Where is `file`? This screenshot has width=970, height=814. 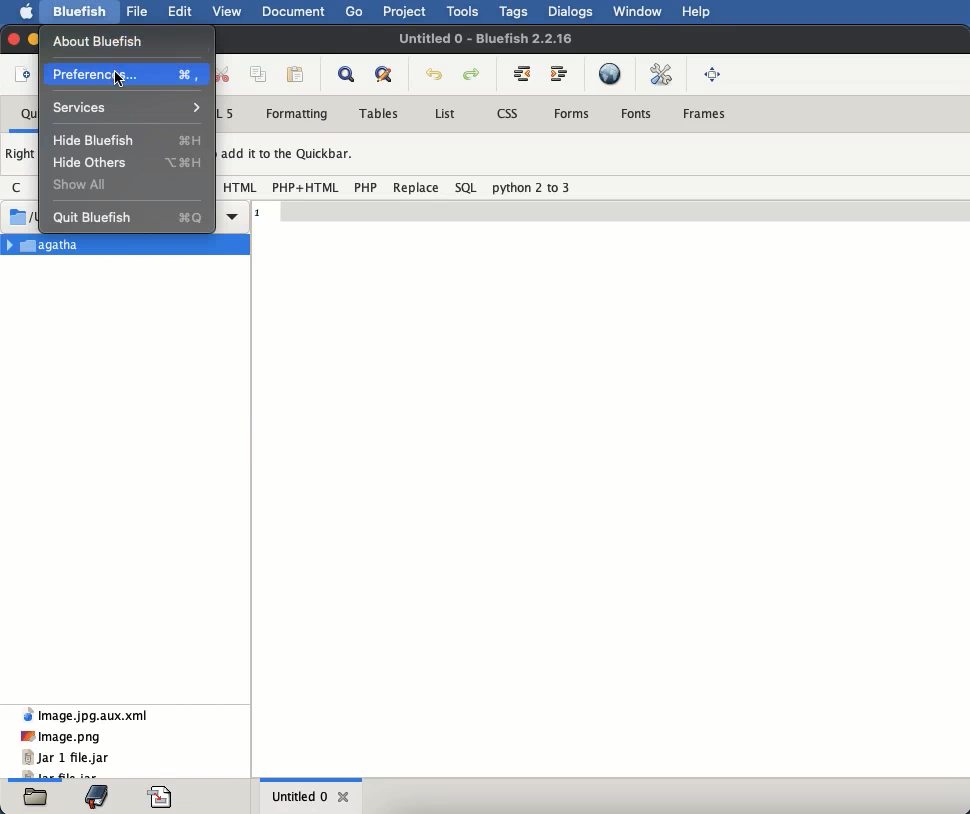 file is located at coordinates (136, 11).